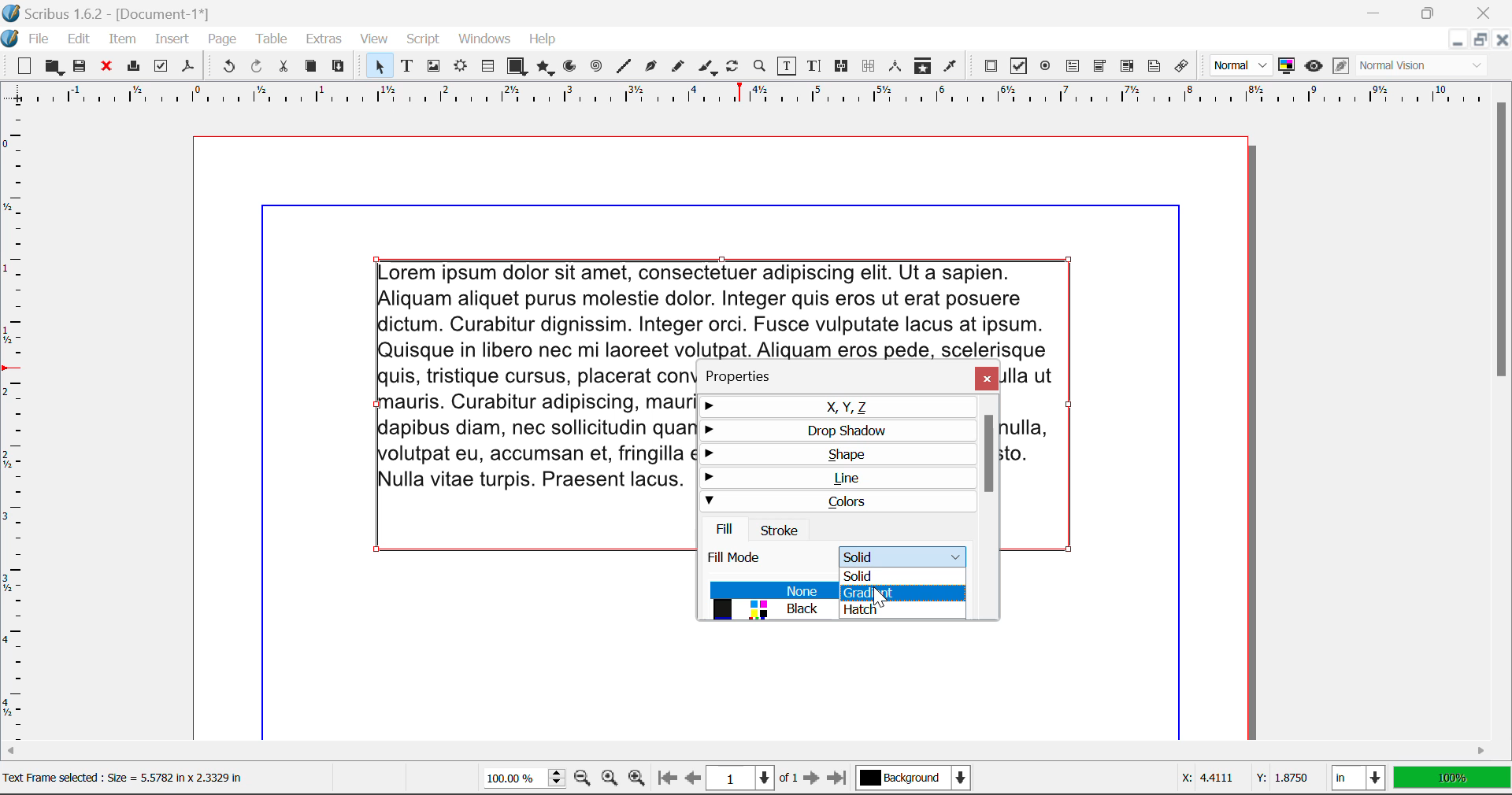  What do you see at coordinates (733, 66) in the screenshot?
I see `Rotate` at bounding box center [733, 66].